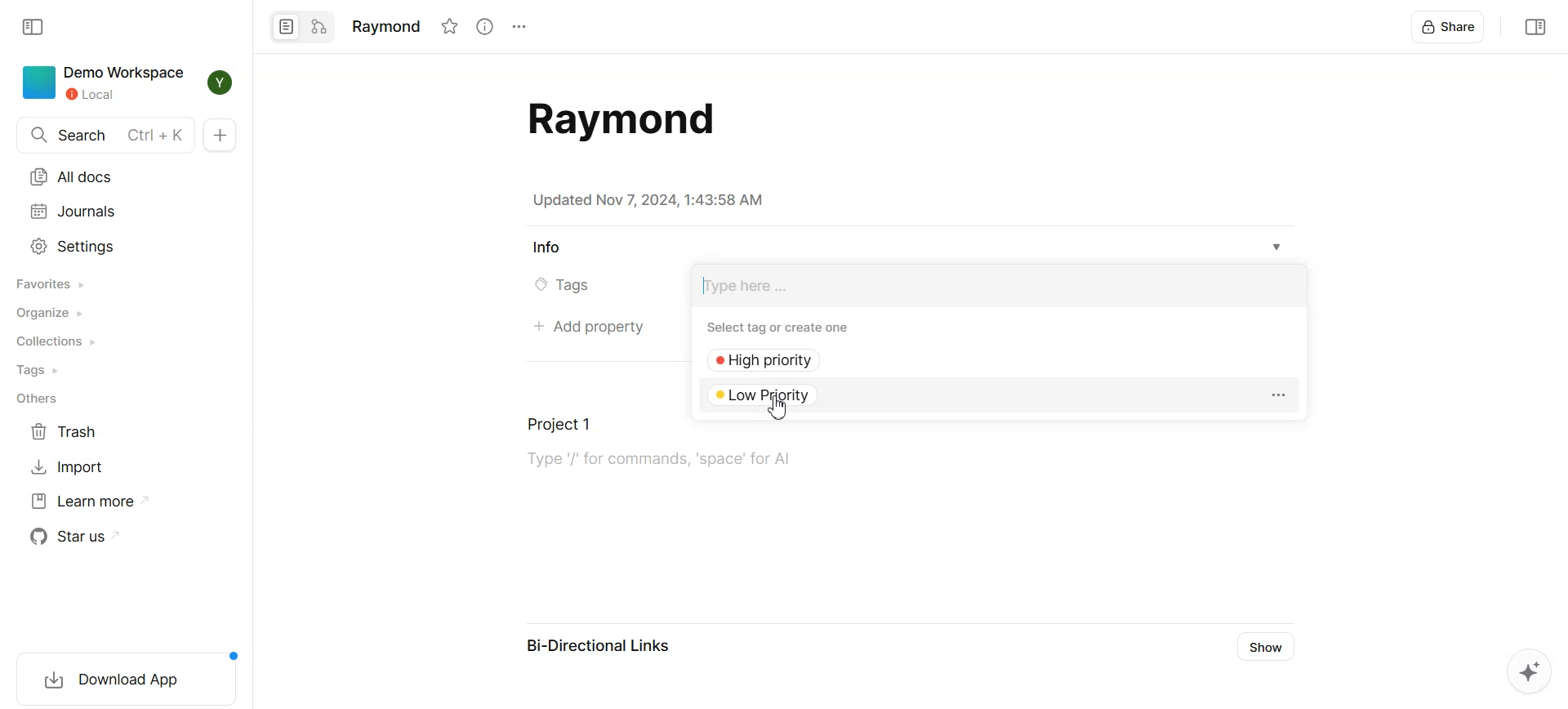  I want to click on Select tag or create one, so click(783, 327).